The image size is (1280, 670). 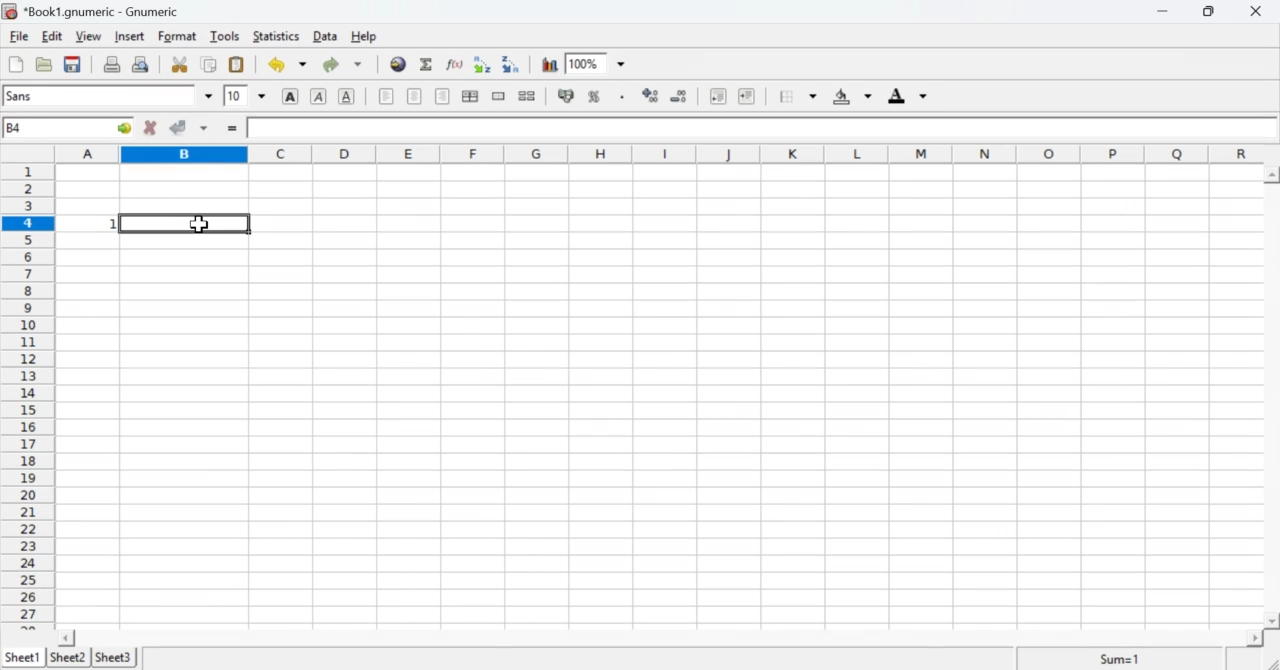 I want to click on Sheet 1, so click(x=25, y=657).